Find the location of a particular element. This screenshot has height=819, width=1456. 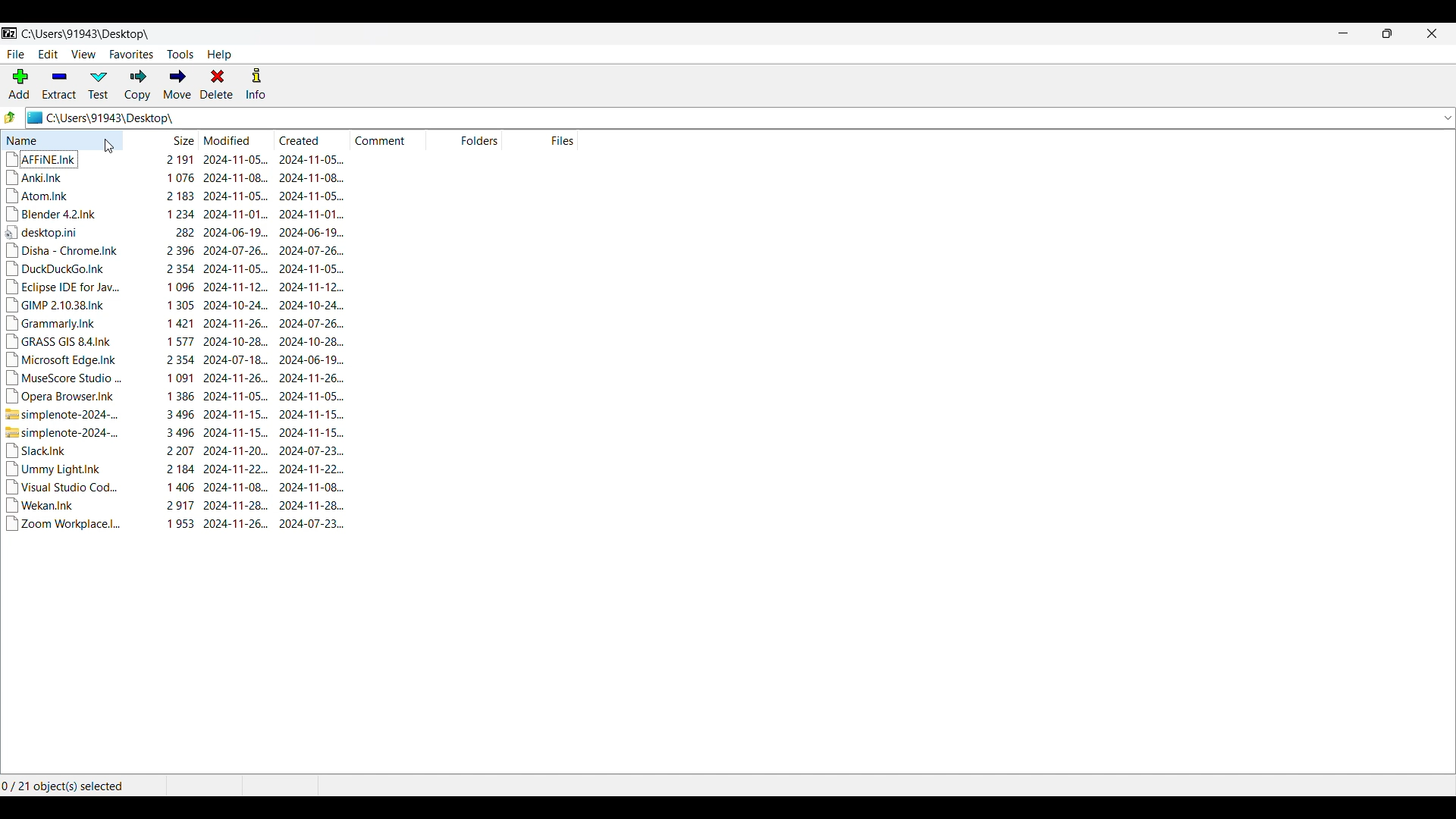

GRASS GIS 84.Ink 1577 2024-10-28... 2024-10-28... is located at coordinates (174, 341).